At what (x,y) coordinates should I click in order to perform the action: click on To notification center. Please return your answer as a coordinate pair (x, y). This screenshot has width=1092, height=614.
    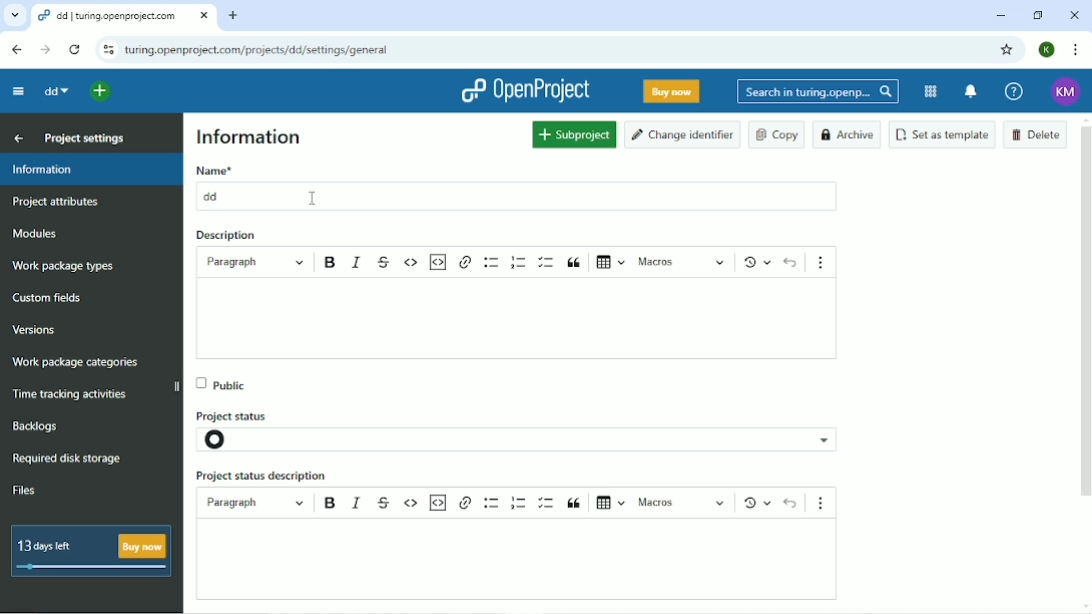
    Looking at the image, I should click on (971, 92).